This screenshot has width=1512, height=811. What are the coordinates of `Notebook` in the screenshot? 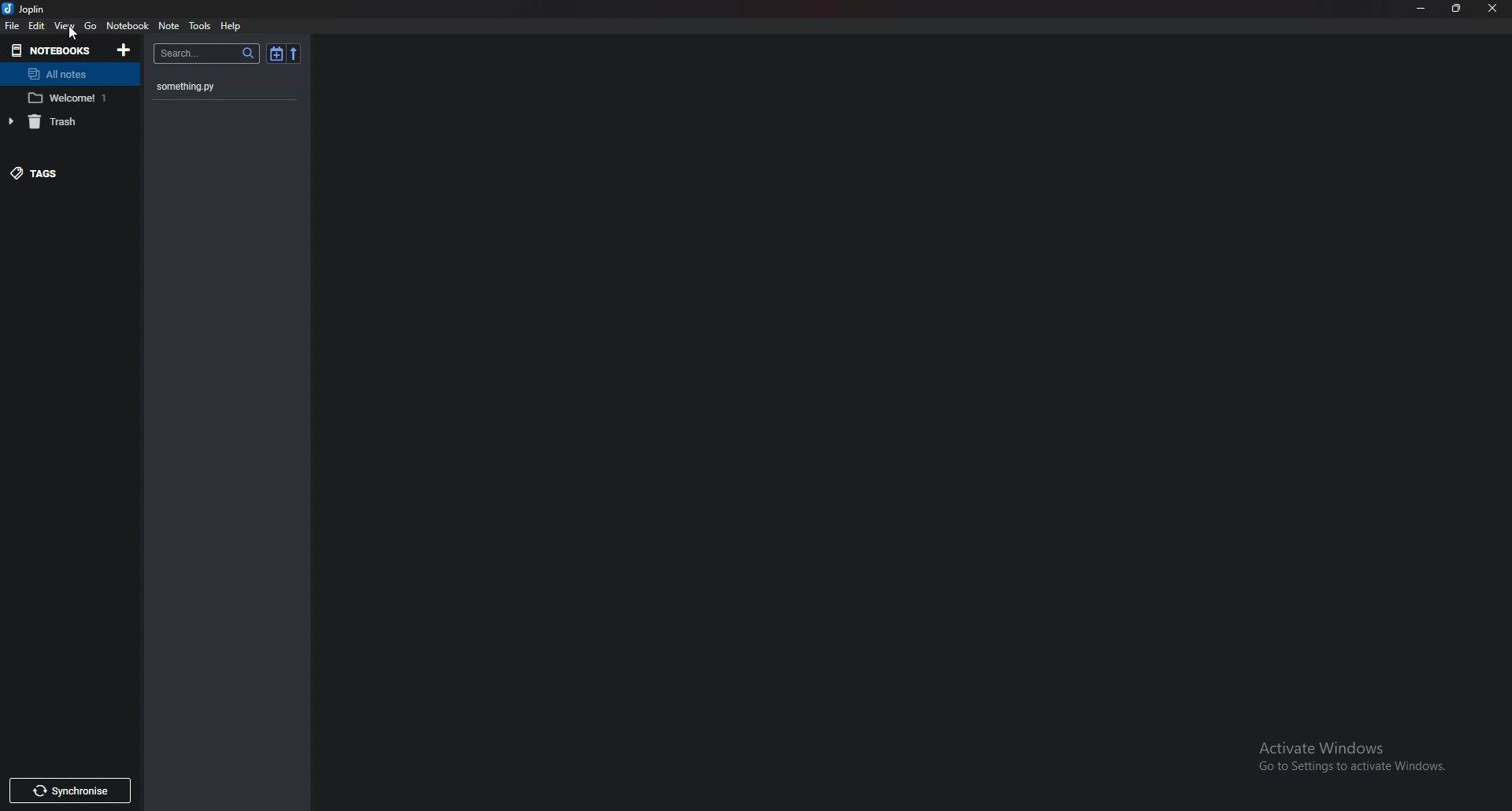 It's located at (66, 98).